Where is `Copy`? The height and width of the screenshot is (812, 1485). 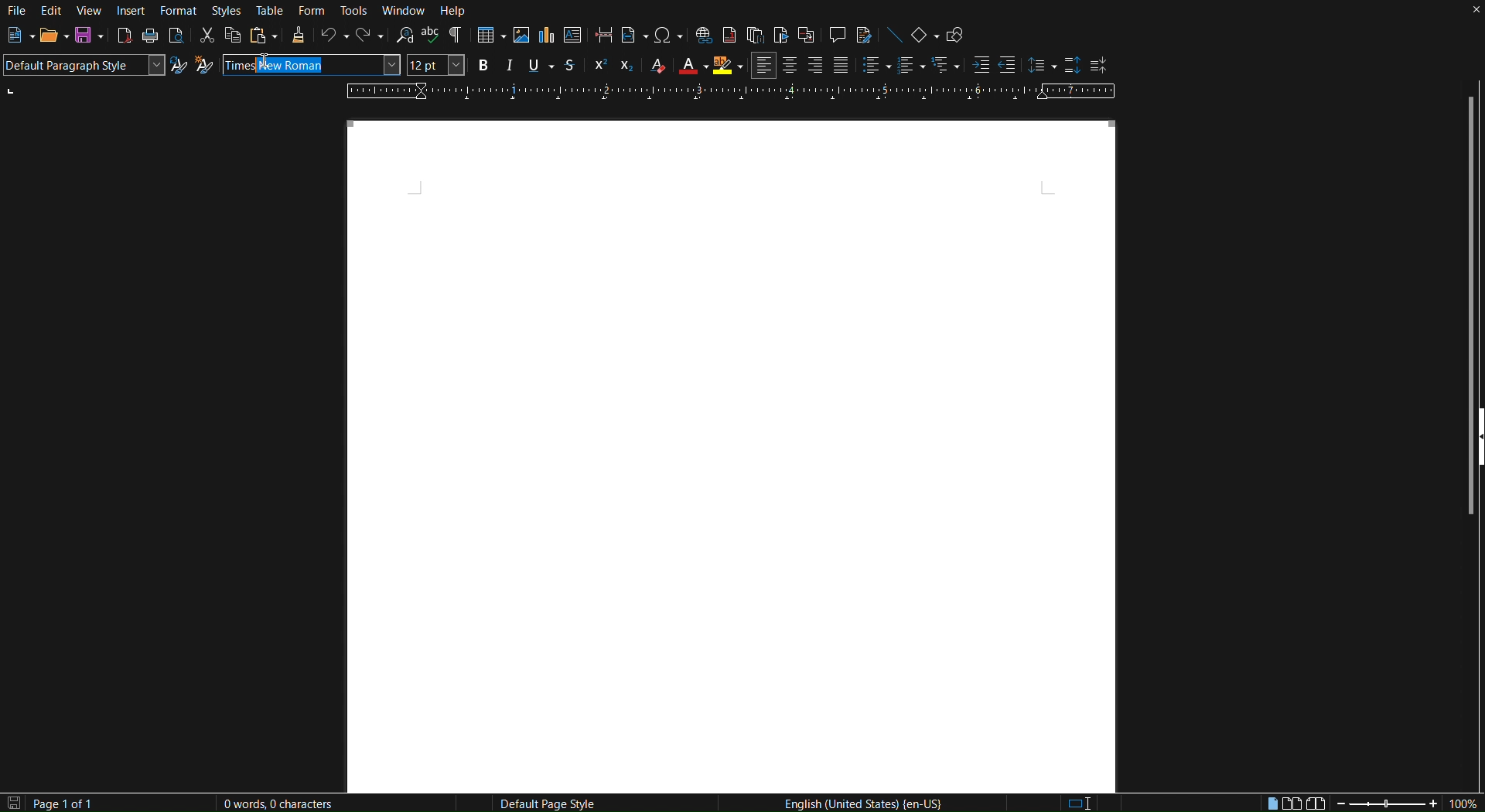
Copy is located at coordinates (232, 37).